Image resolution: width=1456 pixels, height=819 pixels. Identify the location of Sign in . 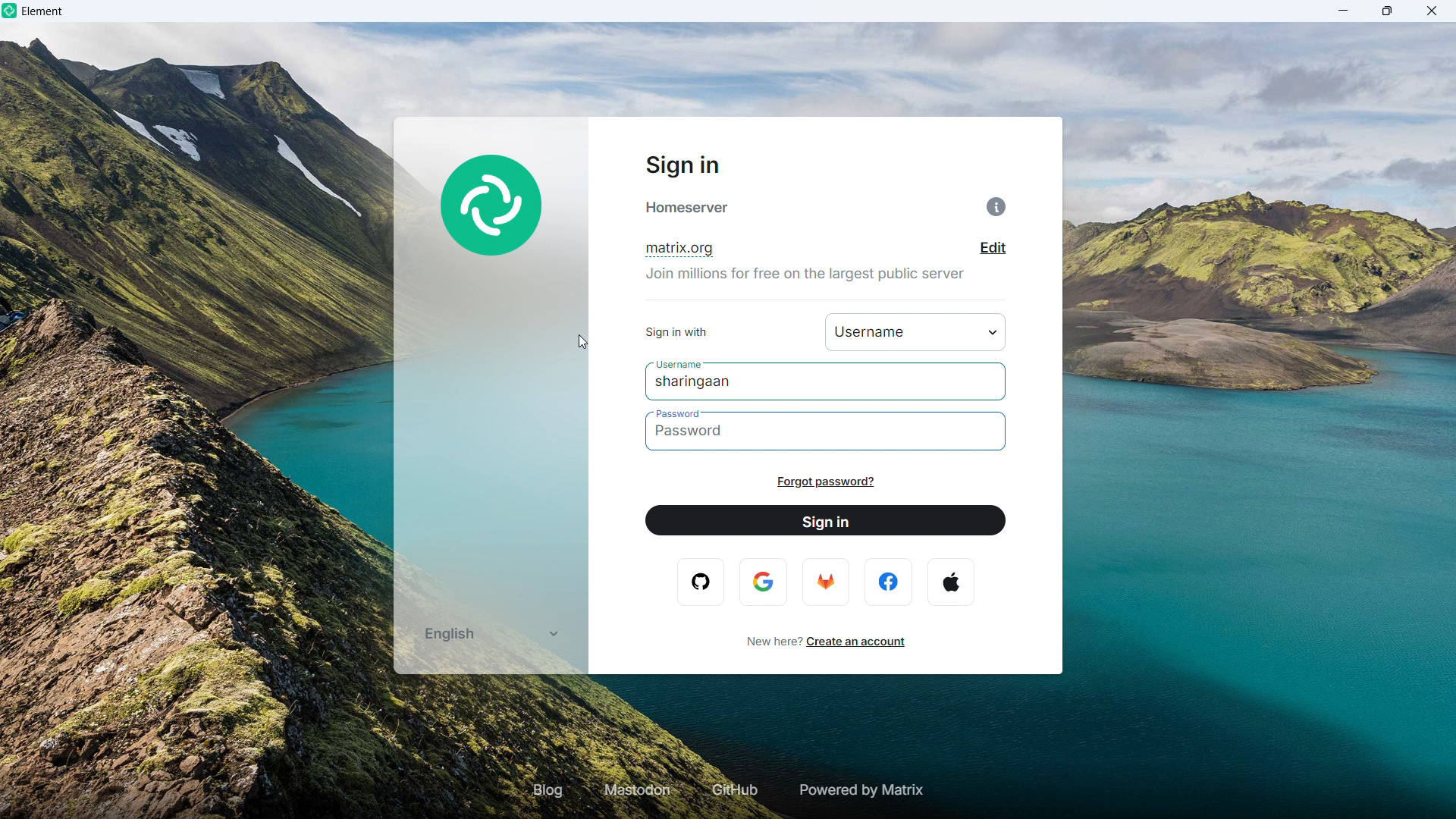
(680, 166).